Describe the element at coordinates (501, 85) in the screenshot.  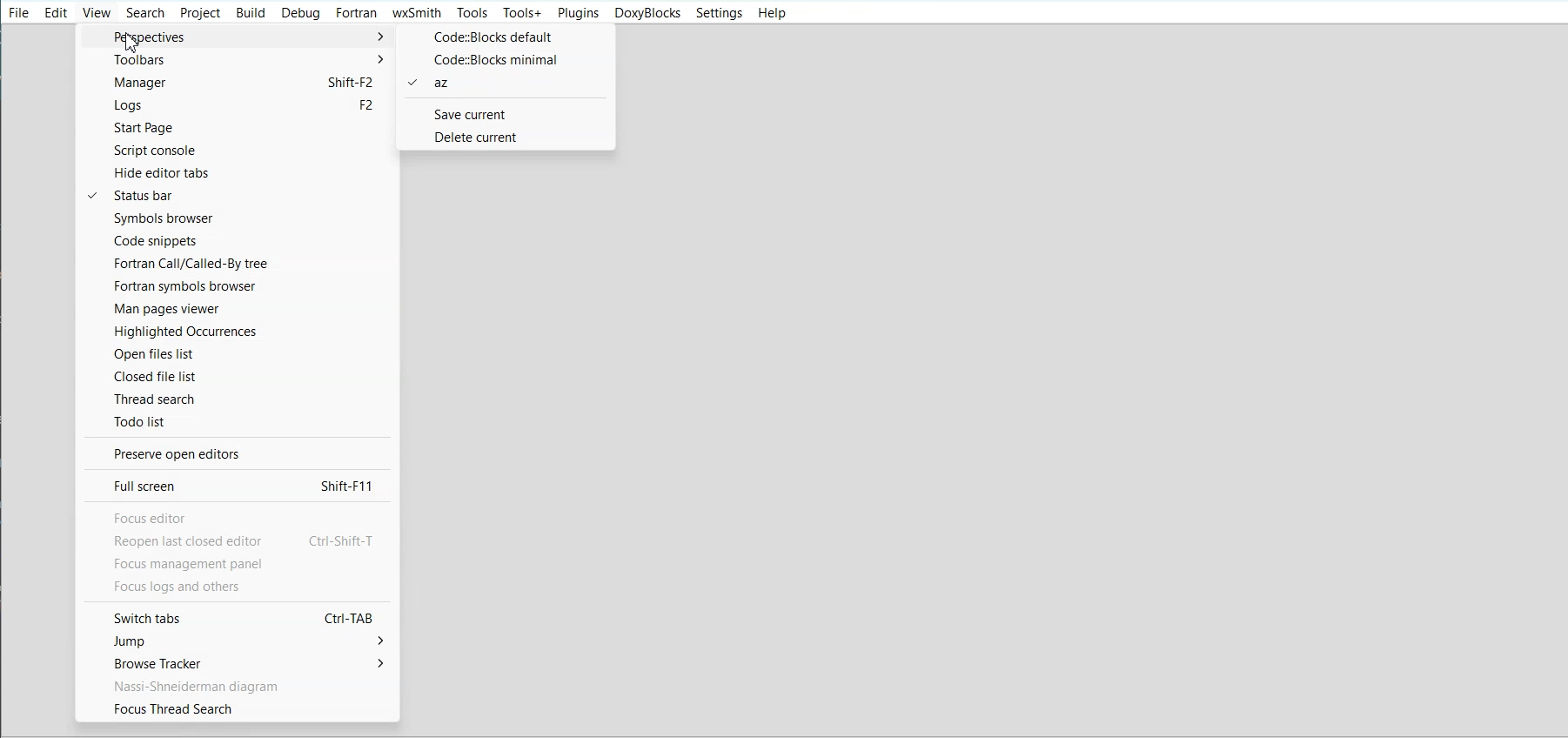
I see `az` at that location.